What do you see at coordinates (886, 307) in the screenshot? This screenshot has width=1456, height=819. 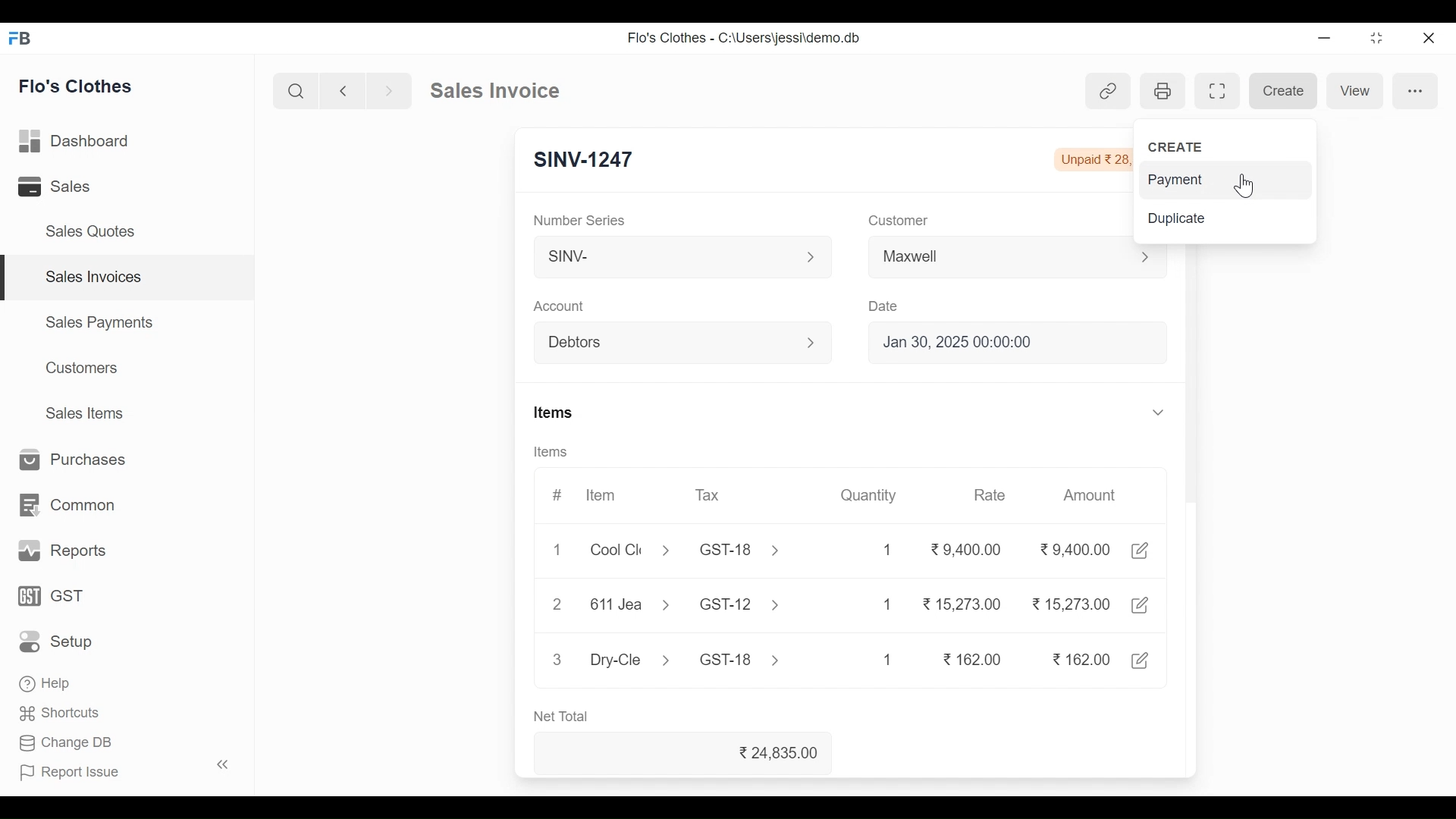 I see `Date` at bounding box center [886, 307].